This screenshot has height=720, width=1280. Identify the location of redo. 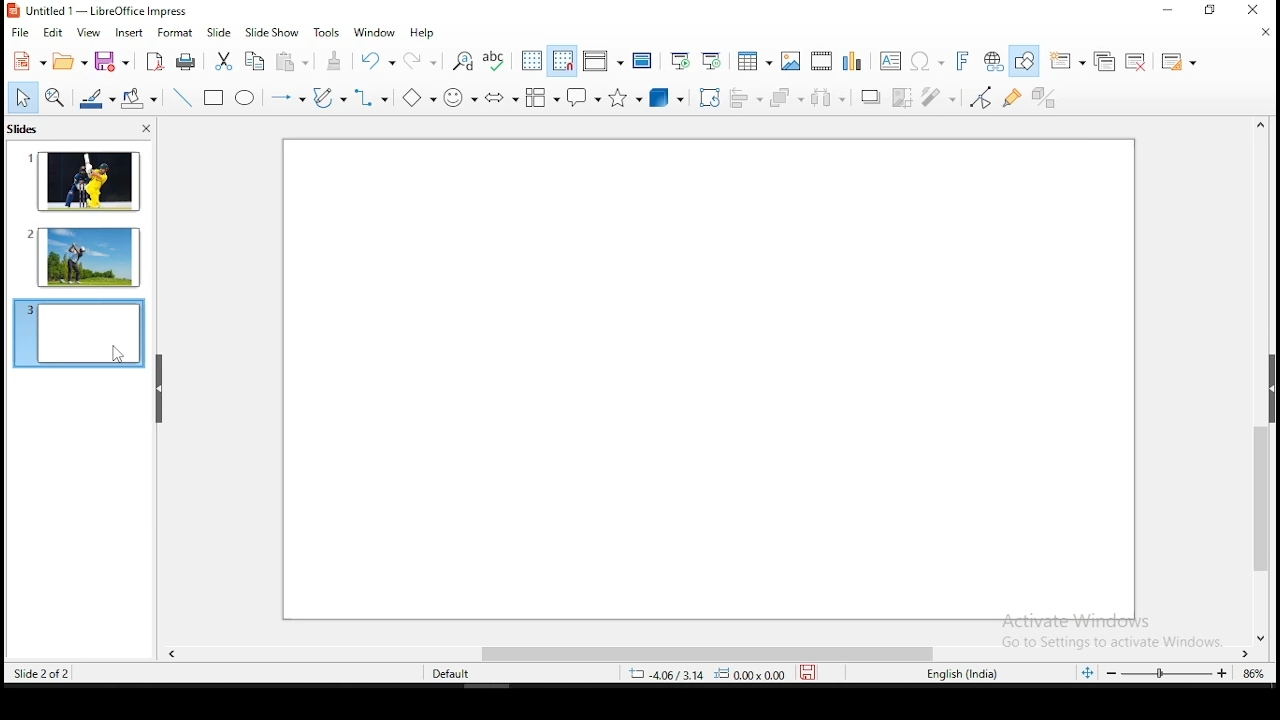
(421, 62).